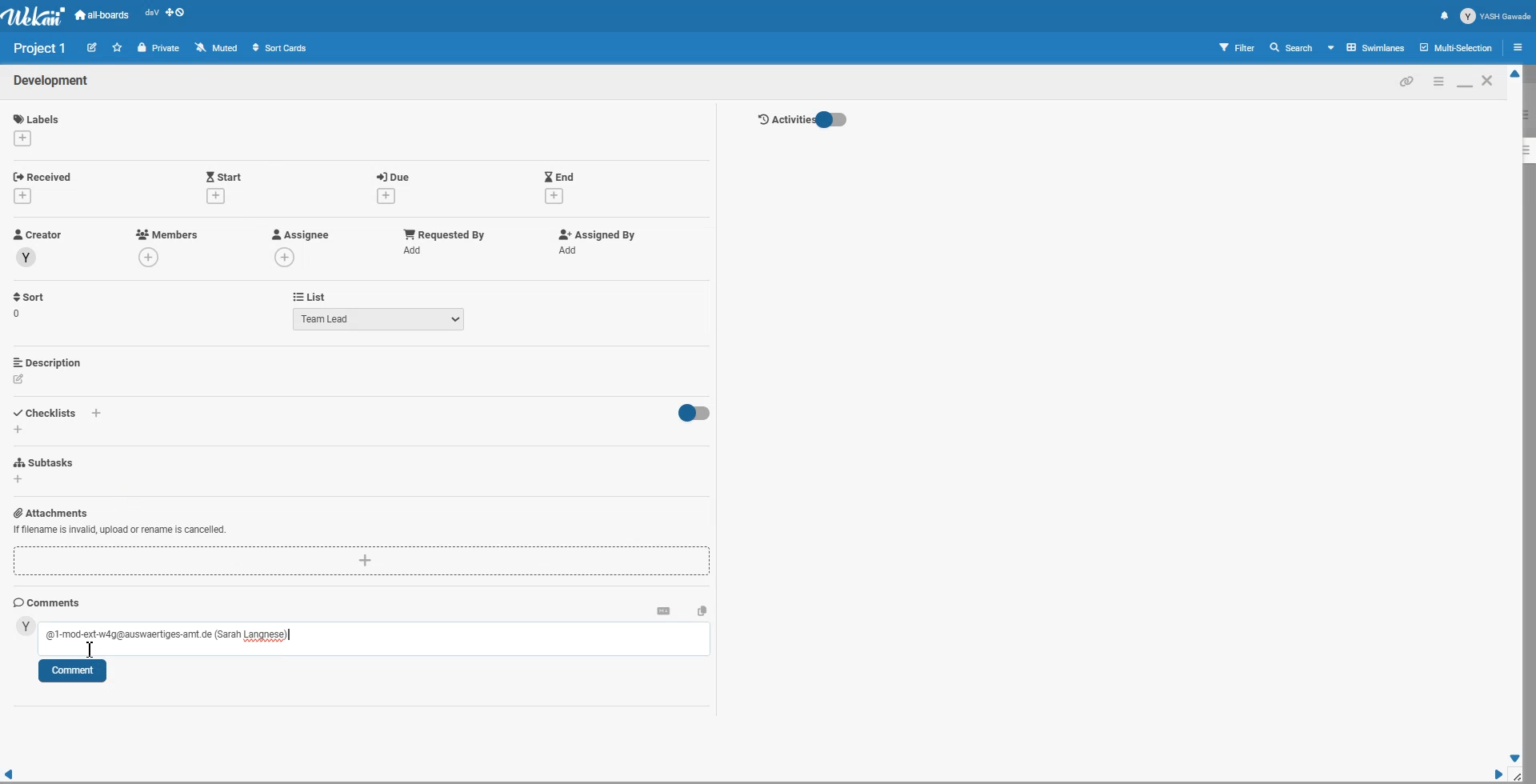 The image size is (1536, 784). I want to click on Activity Toggle, so click(802, 120).